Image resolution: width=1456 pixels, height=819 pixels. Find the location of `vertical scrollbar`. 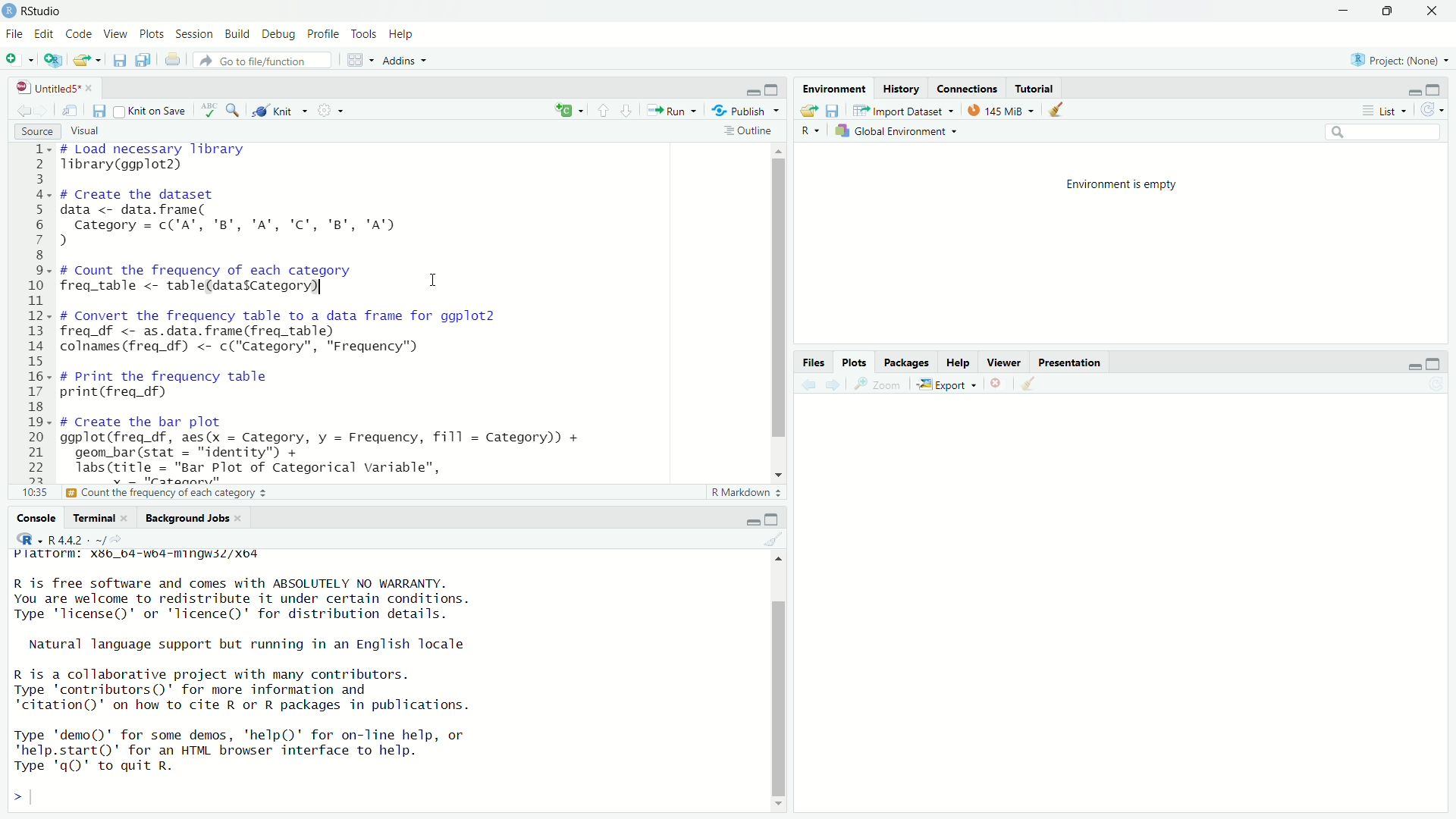

vertical scrollbar is located at coordinates (780, 700).